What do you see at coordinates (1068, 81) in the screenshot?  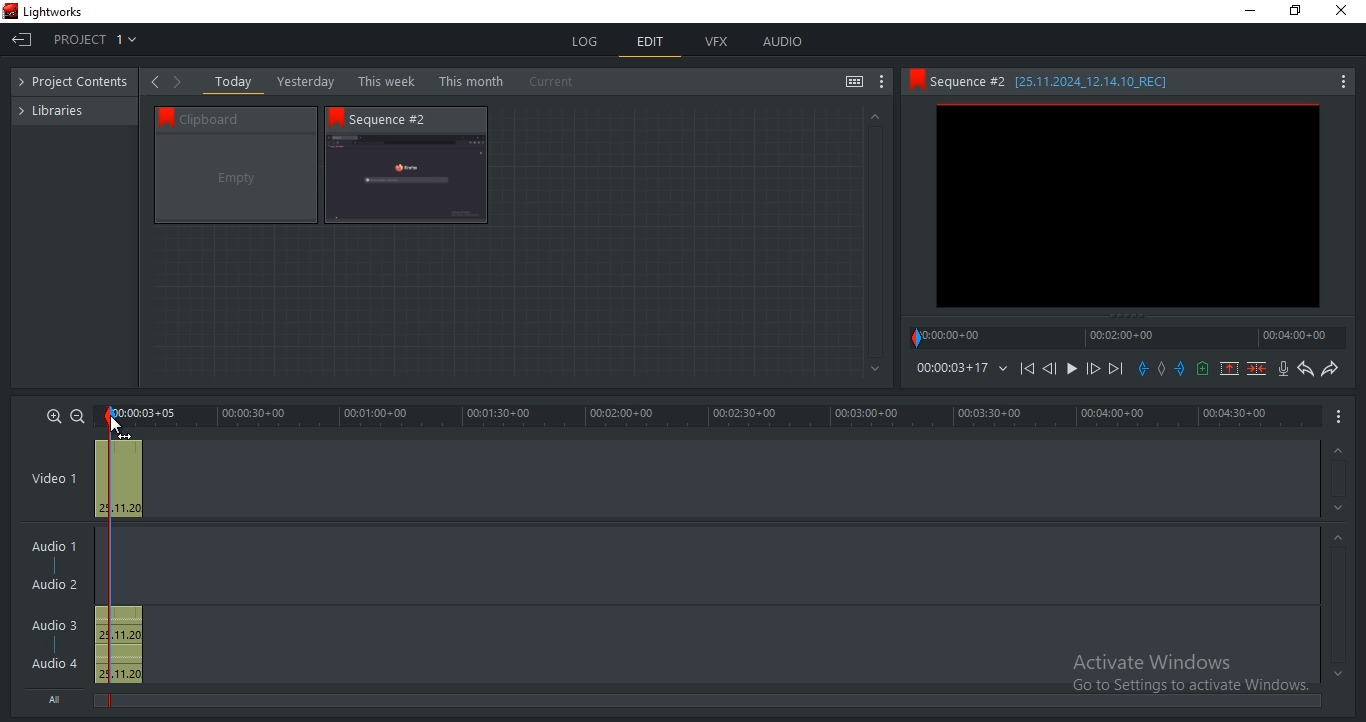 I see `Sequence 2 details` at bounding box center [1068, 81].